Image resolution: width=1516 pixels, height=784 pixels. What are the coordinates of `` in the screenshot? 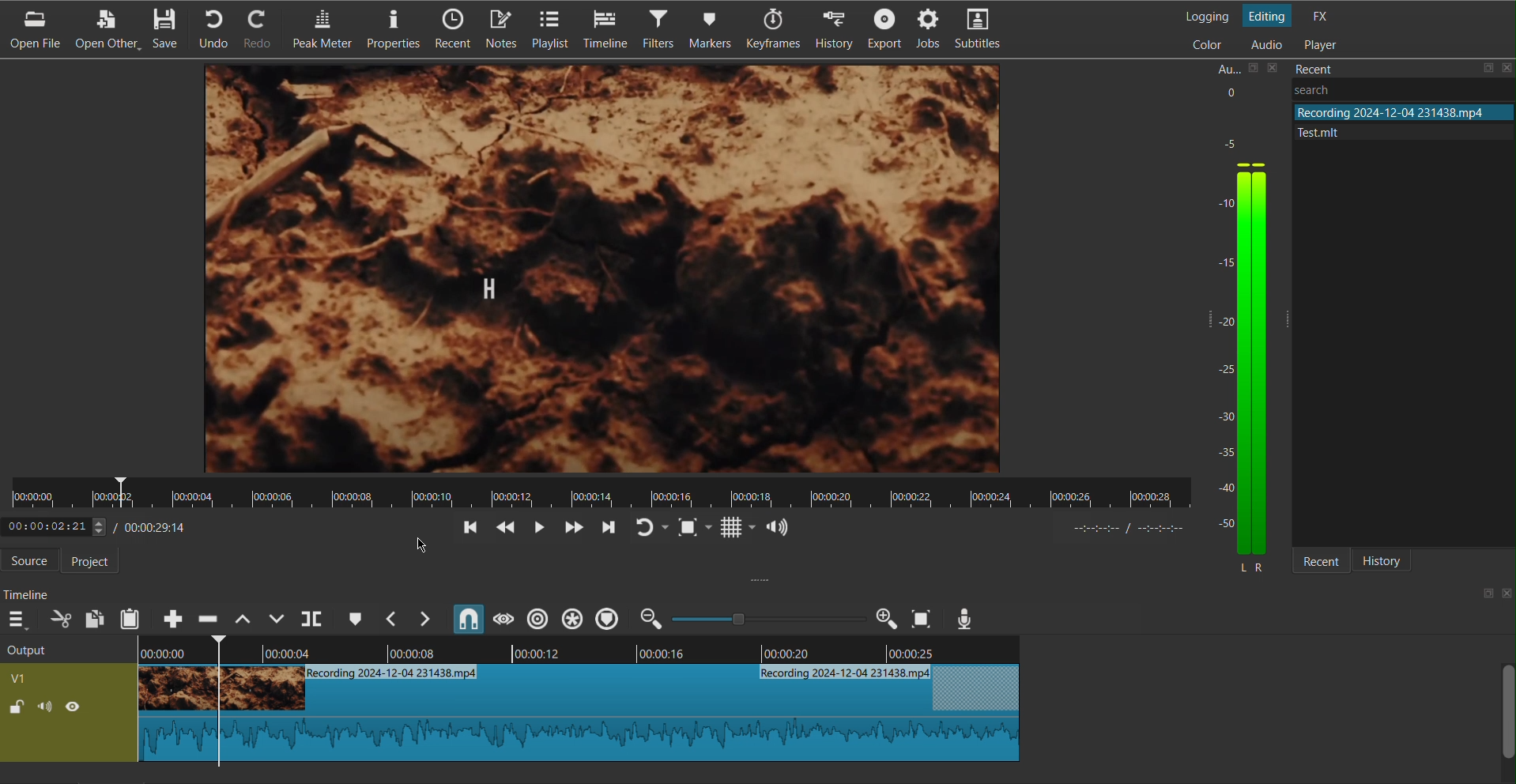 It's located at (1339, 89).